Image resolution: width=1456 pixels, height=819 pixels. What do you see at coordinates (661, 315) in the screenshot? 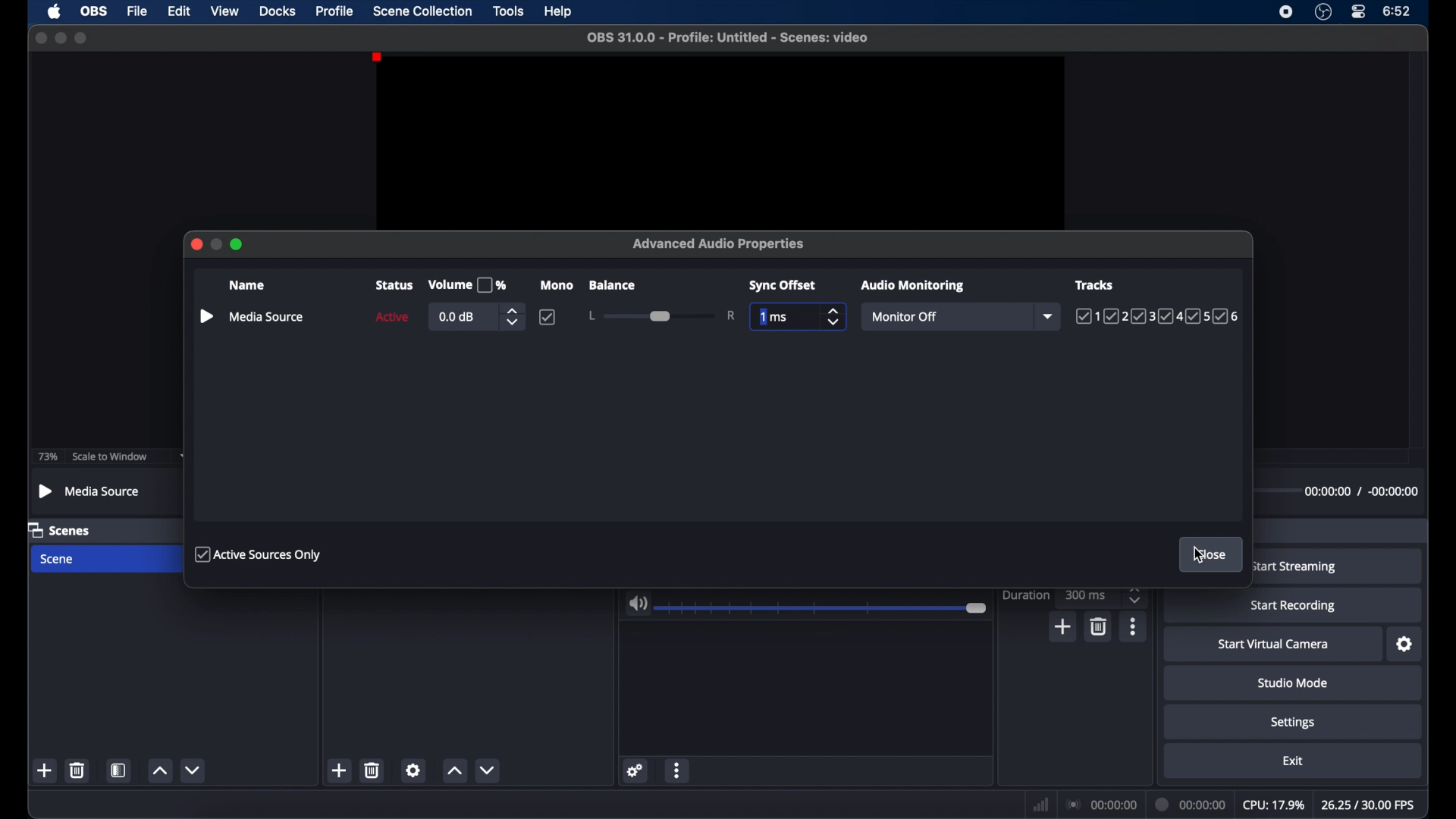
I see `slider` at bounding box center [661, 315].